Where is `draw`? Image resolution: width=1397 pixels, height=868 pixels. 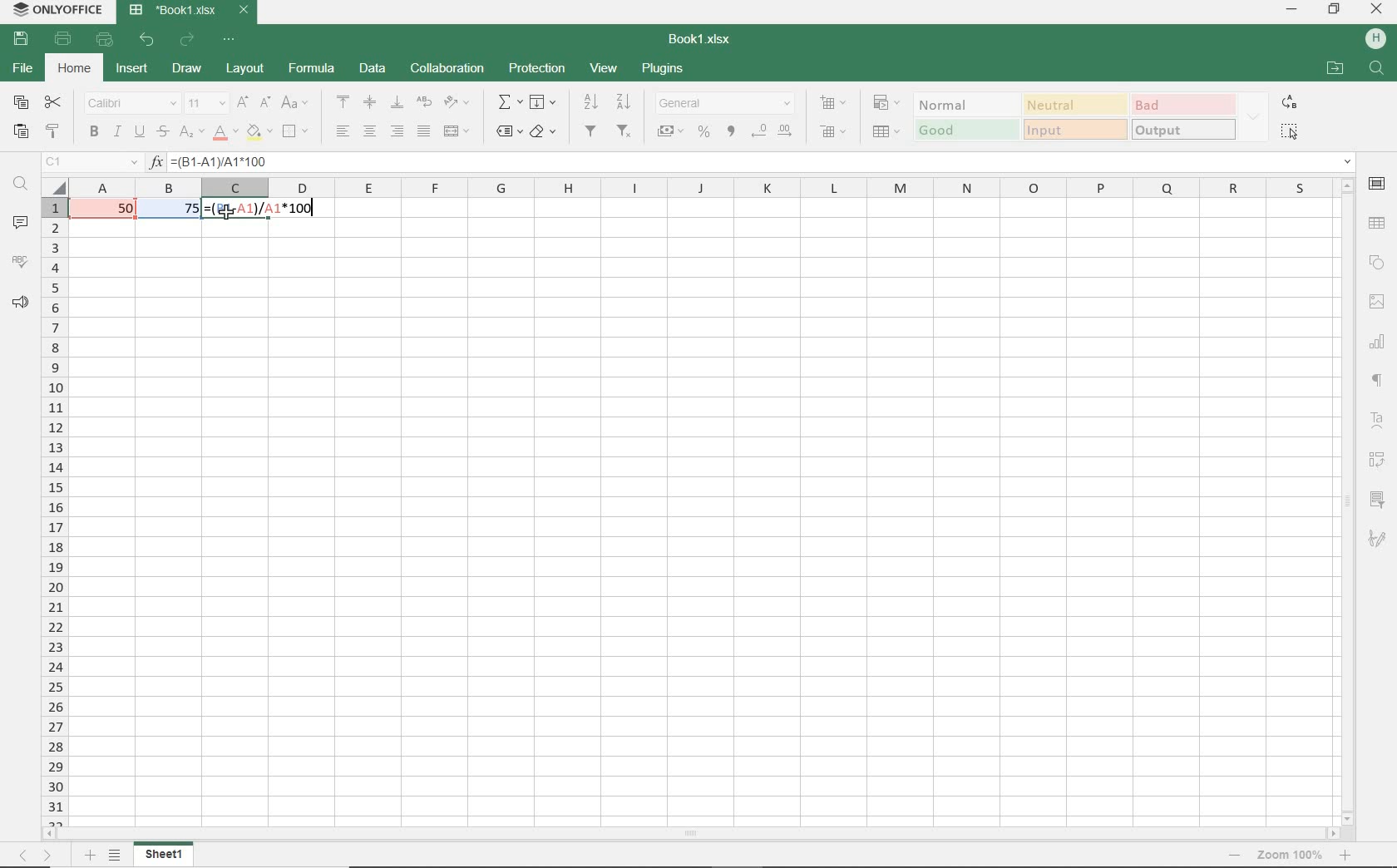
draw is located at coordinates (186, 69).